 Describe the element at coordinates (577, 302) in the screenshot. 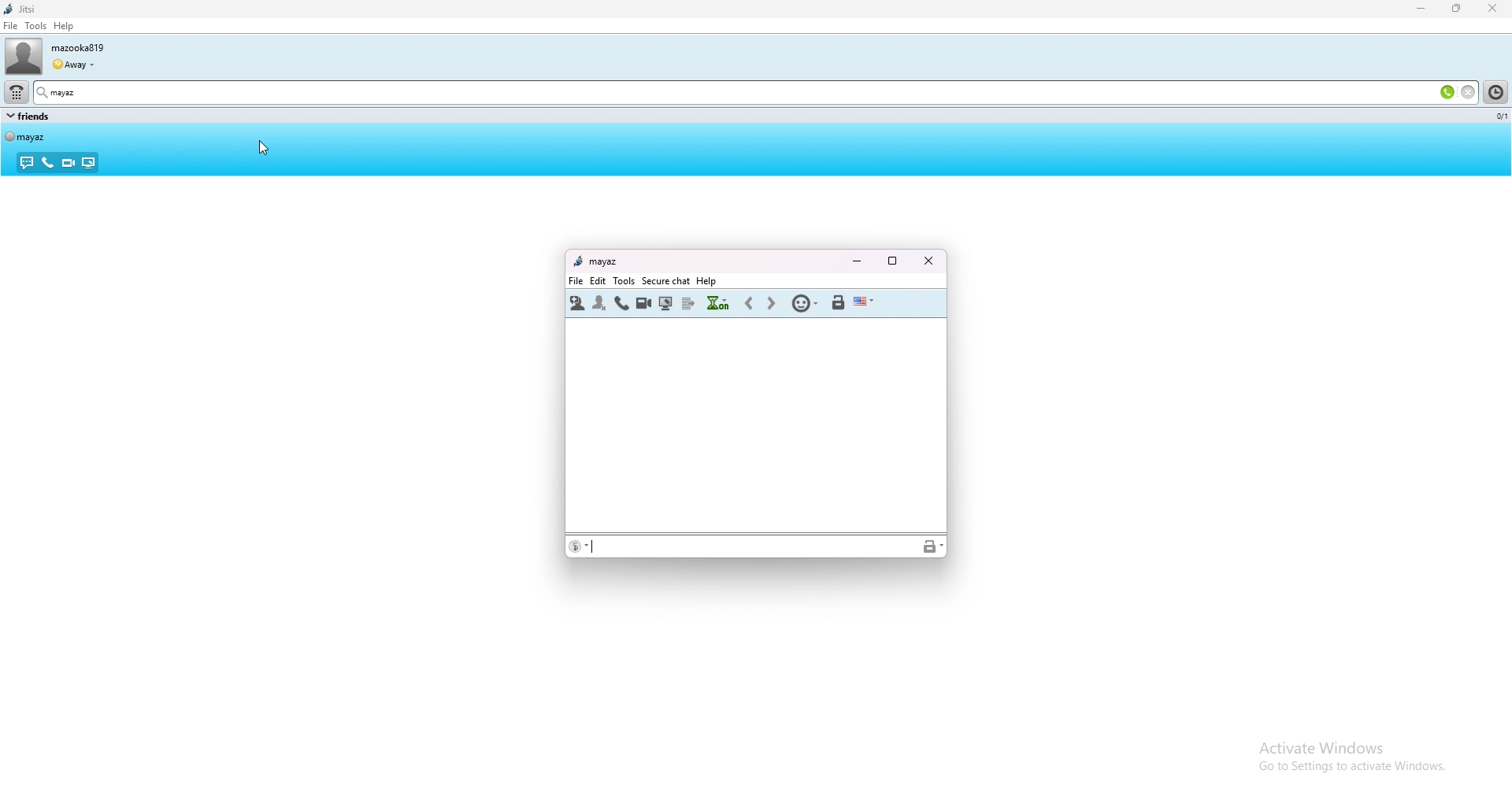

I see `invite` at that location.